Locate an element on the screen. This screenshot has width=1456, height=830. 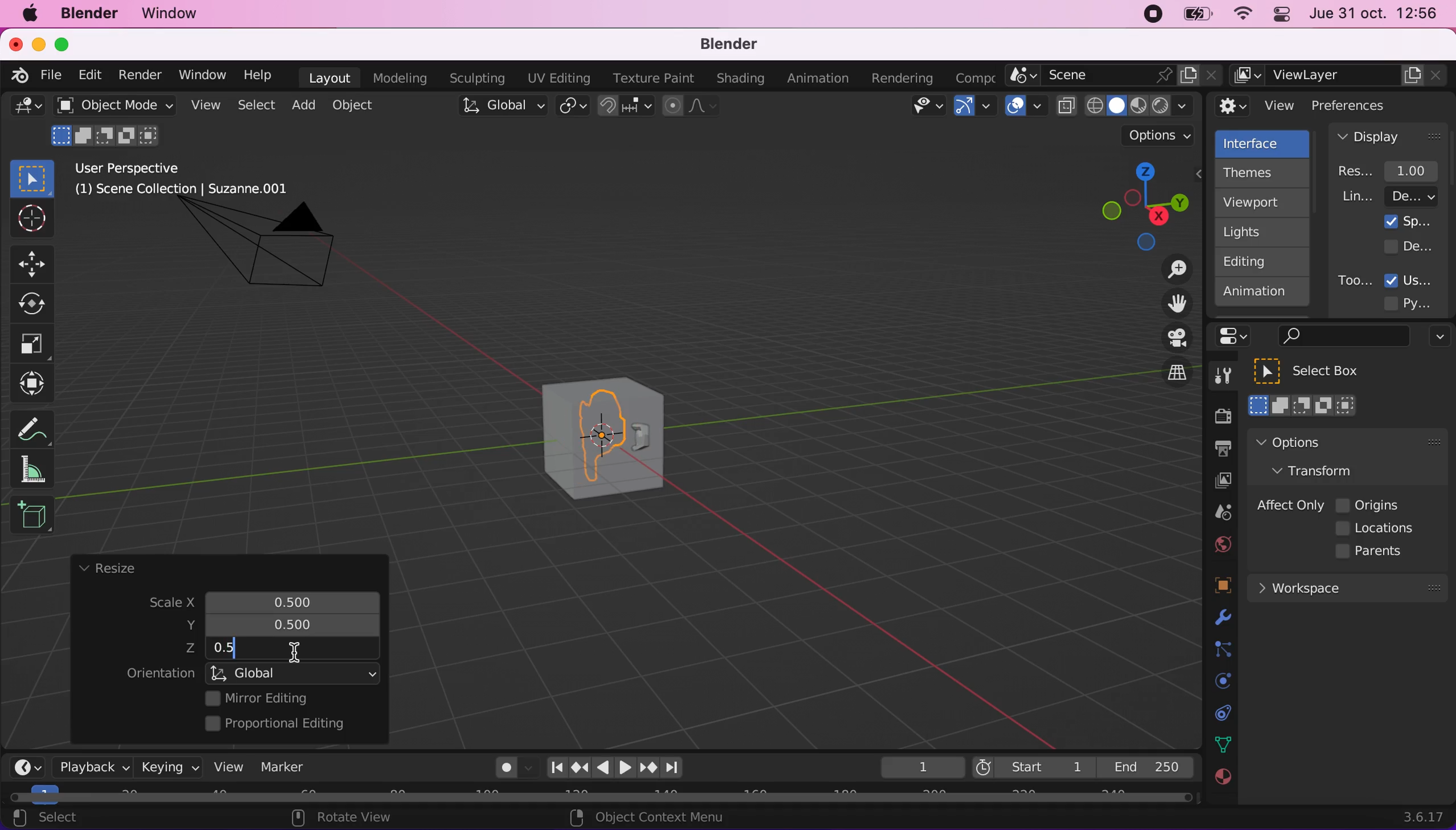
view layer is located at coordinates (1217, 482).